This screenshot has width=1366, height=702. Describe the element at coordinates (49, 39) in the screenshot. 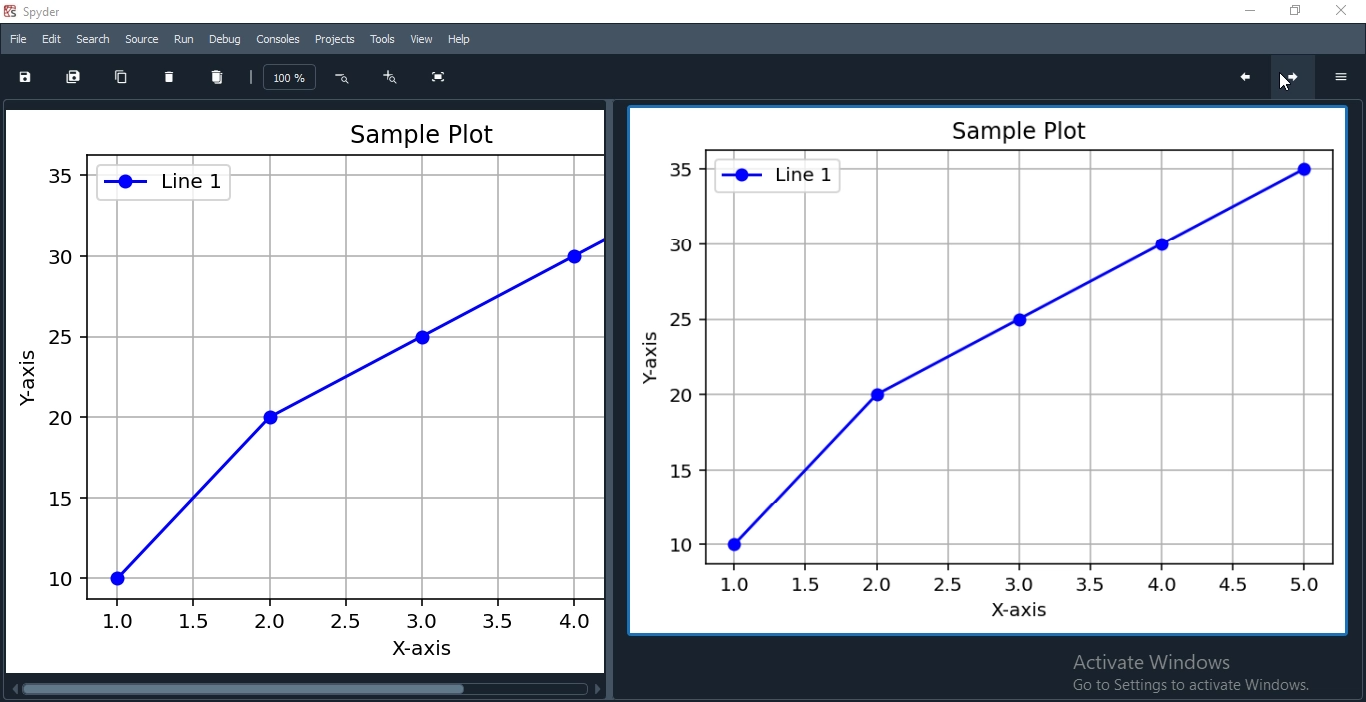

I see `Edit` at that location.